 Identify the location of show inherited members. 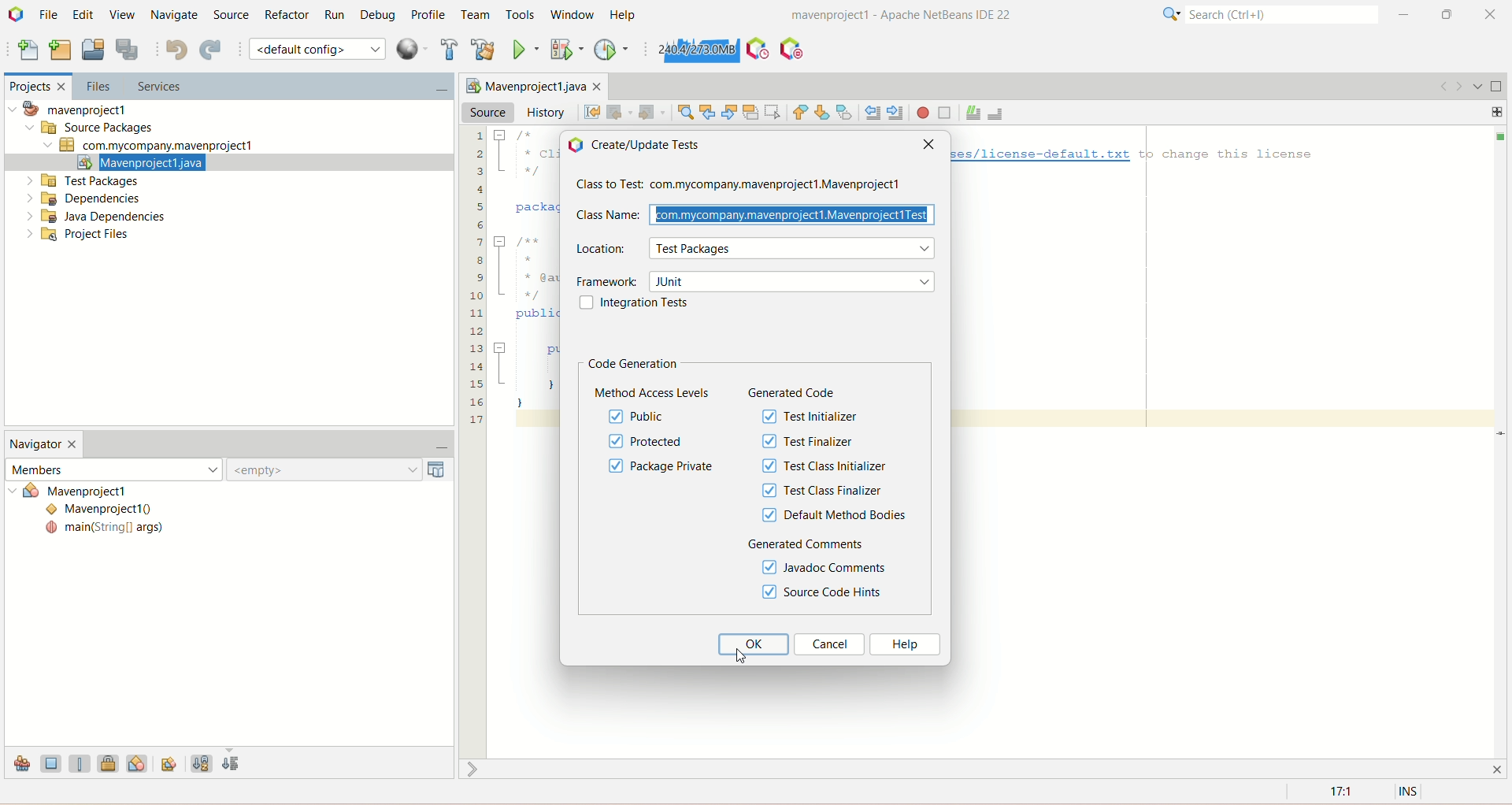
(20, 764).